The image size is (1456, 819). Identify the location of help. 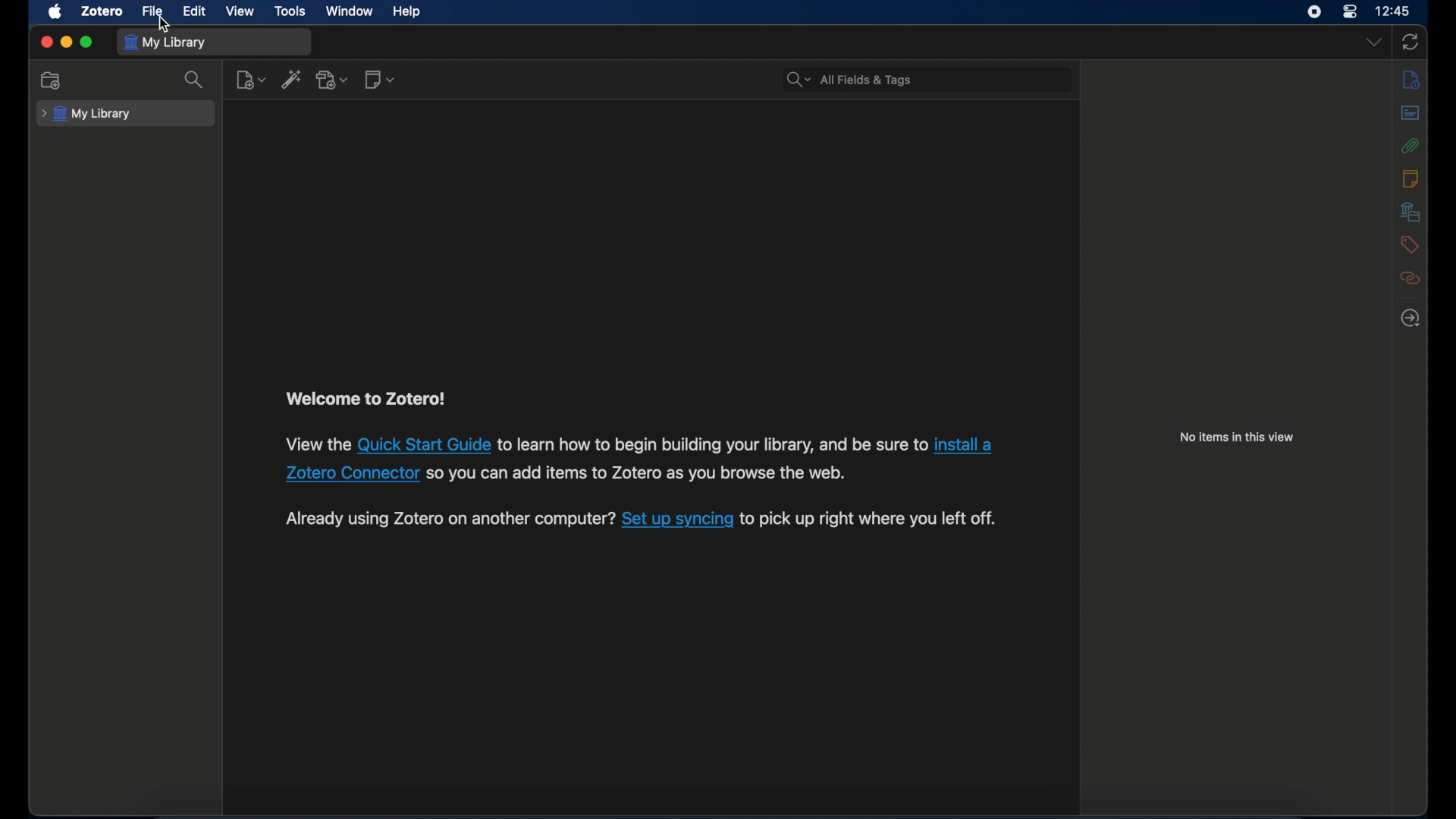
(408, 12).